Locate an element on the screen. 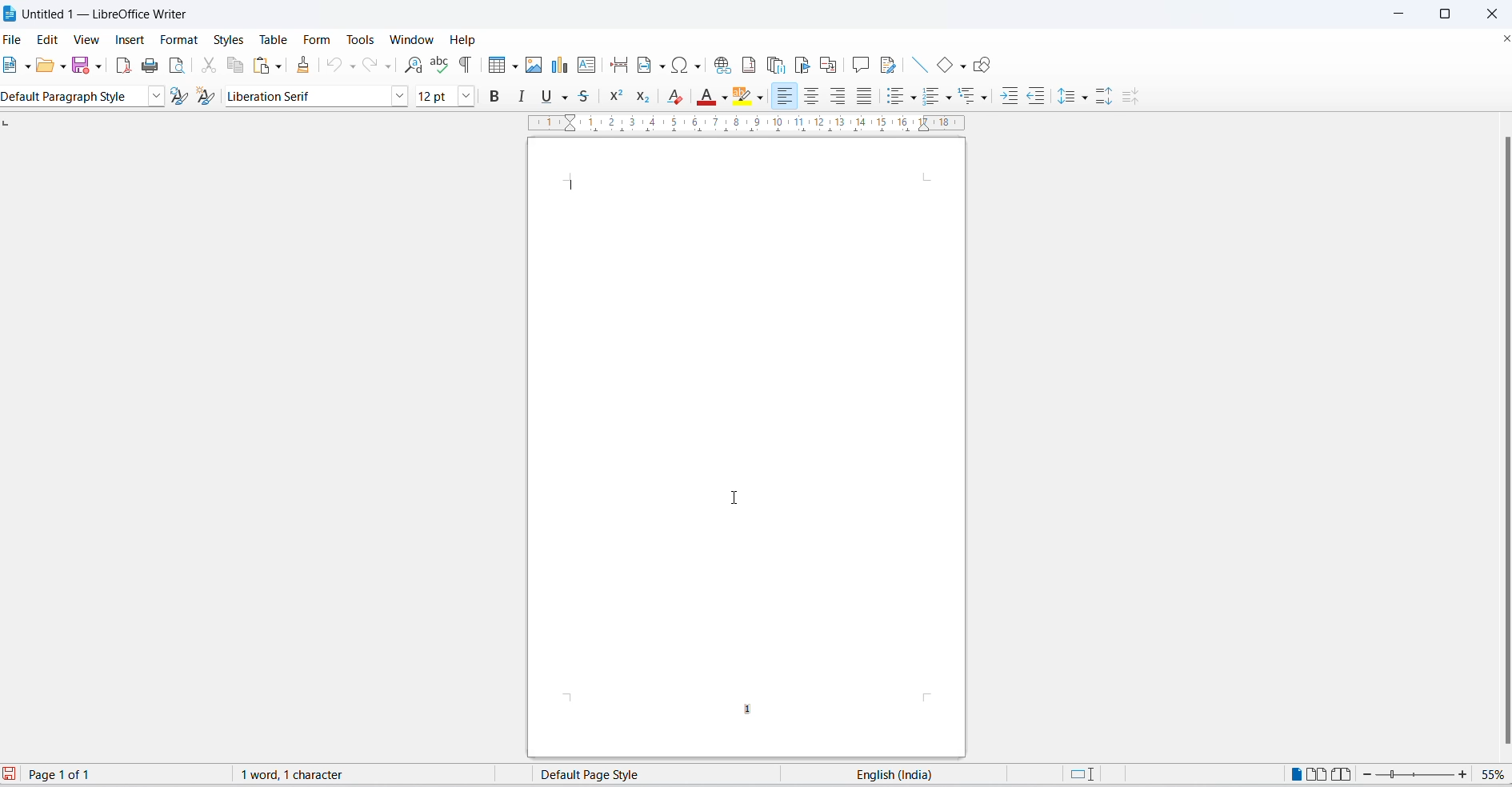 The height and width of the screenshot is (787, 1512). font name is located at coordinates (306, 98).